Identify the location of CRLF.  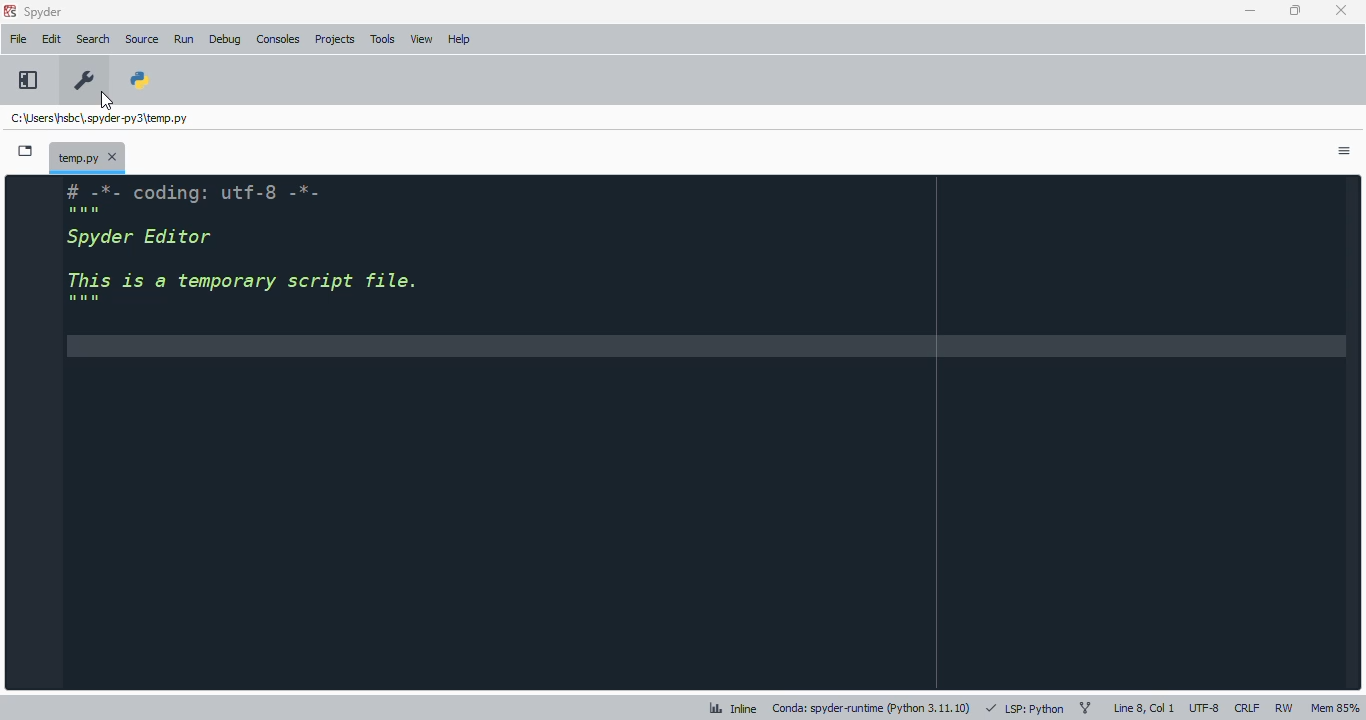
(1248, 707).